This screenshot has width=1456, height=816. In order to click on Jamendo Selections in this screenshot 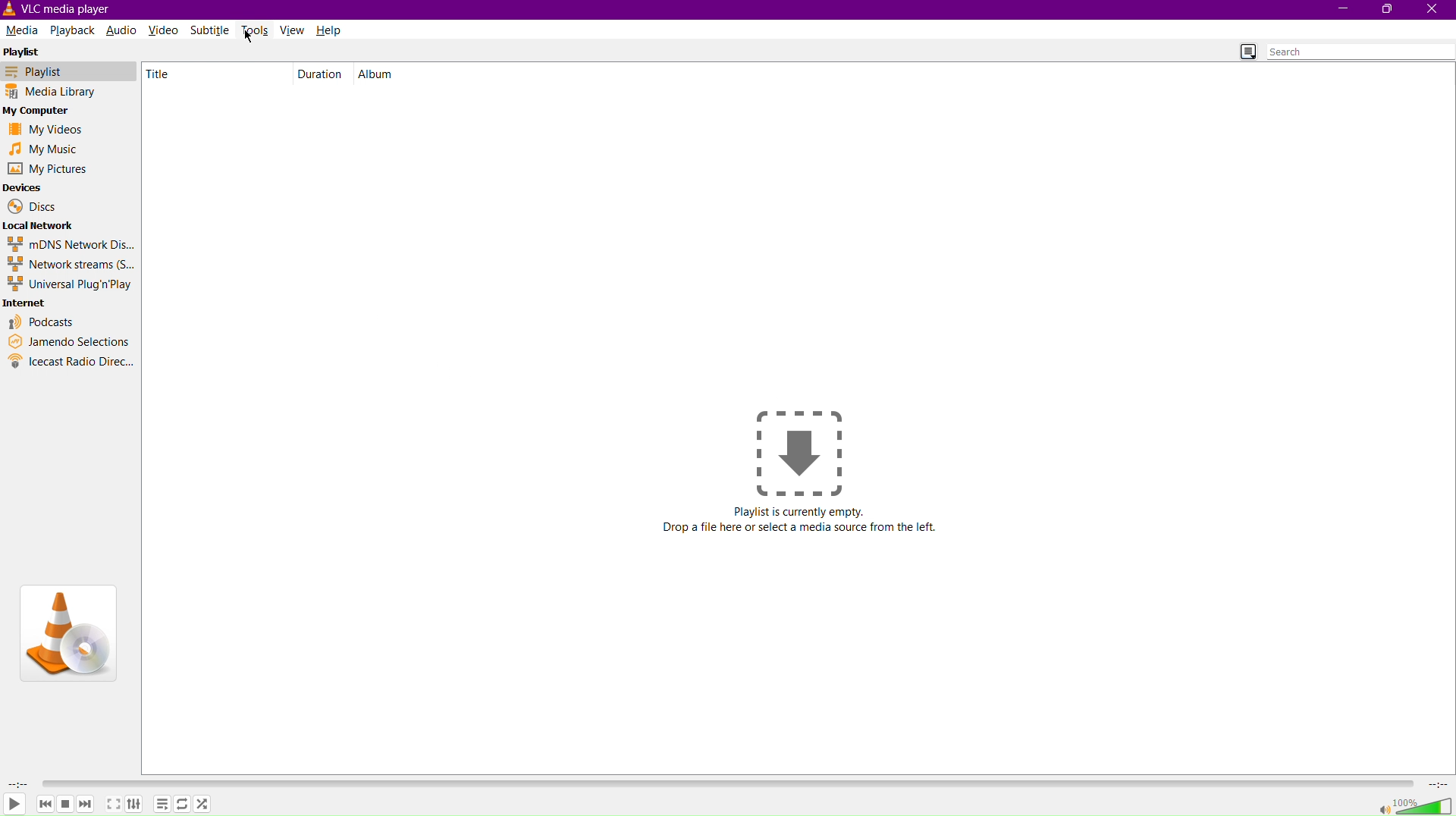, I will do `click(70, 341)`.